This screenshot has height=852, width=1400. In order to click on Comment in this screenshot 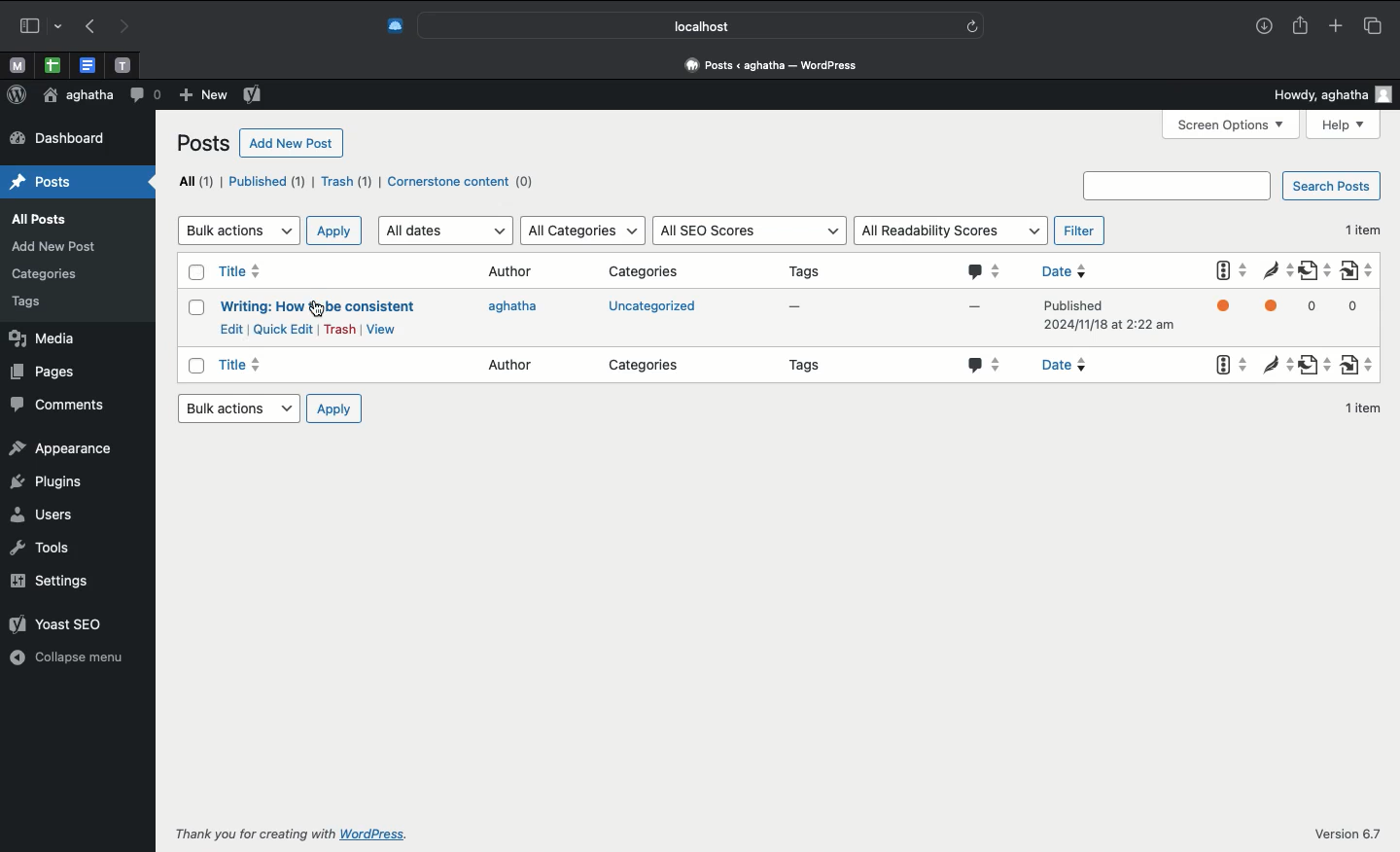, I will do `click(145, 93)`.